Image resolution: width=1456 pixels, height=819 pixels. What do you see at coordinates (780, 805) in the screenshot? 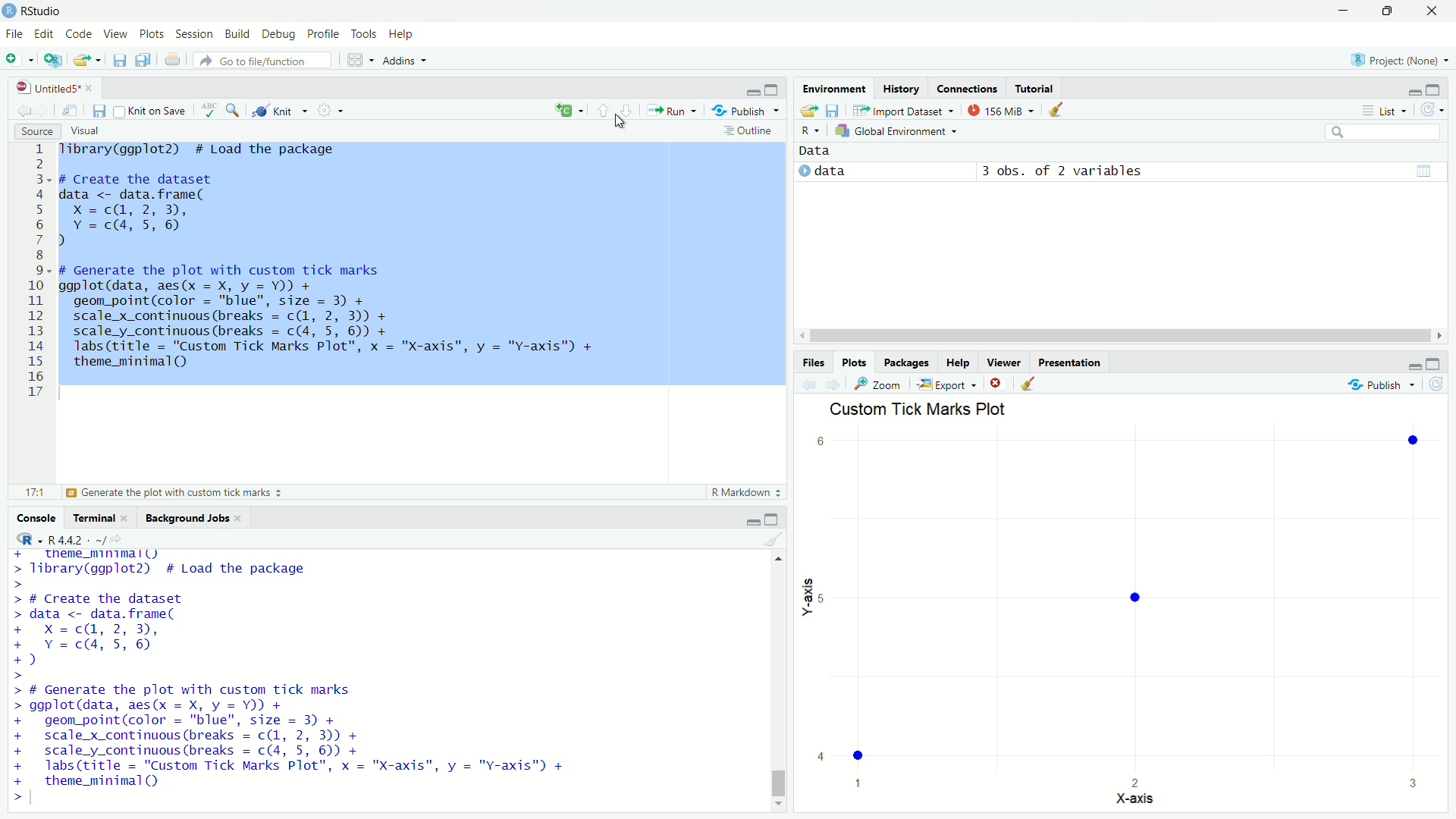
I see `move down` at bounding box center [780, 805].